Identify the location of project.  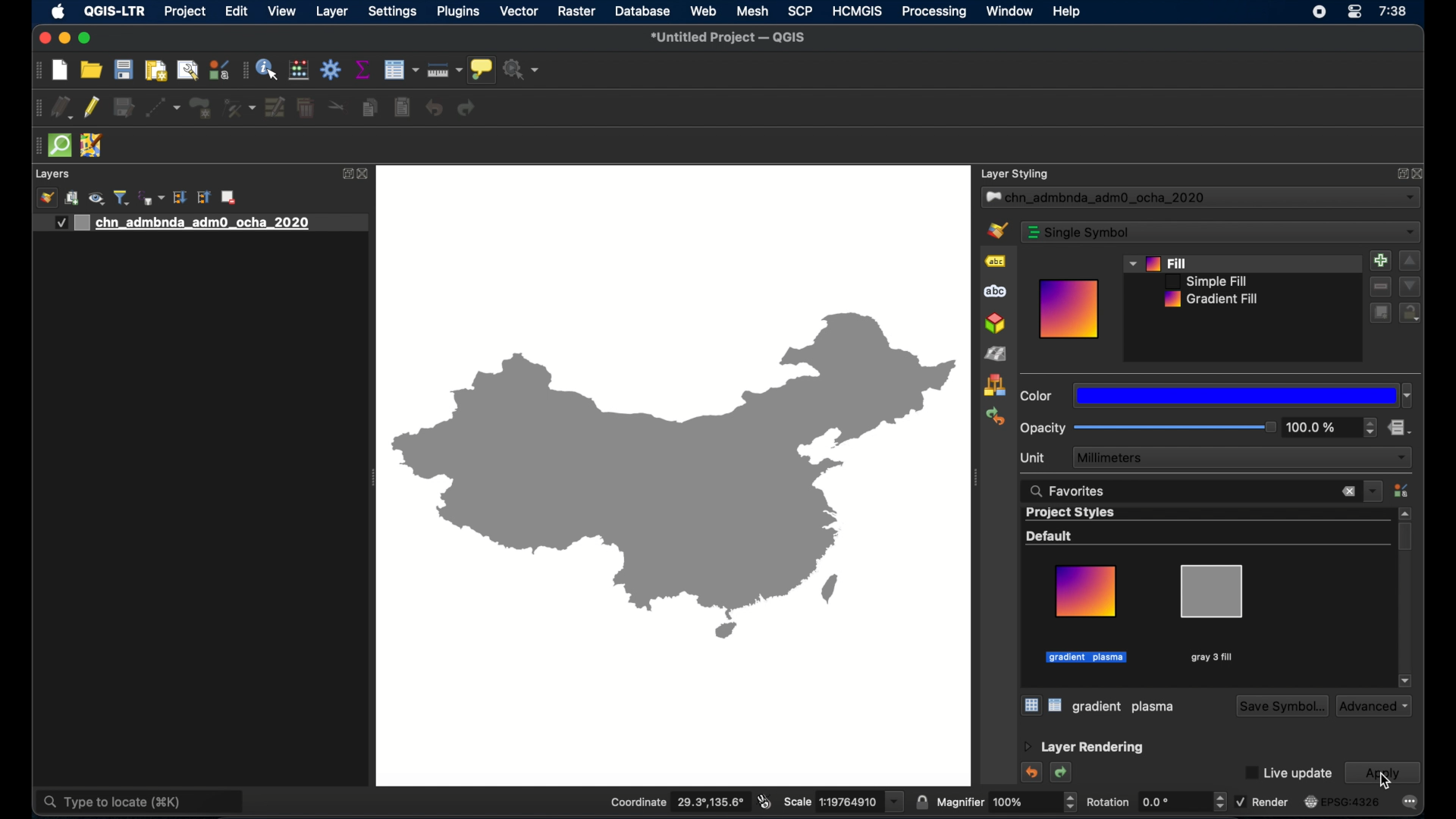
(184, 11).